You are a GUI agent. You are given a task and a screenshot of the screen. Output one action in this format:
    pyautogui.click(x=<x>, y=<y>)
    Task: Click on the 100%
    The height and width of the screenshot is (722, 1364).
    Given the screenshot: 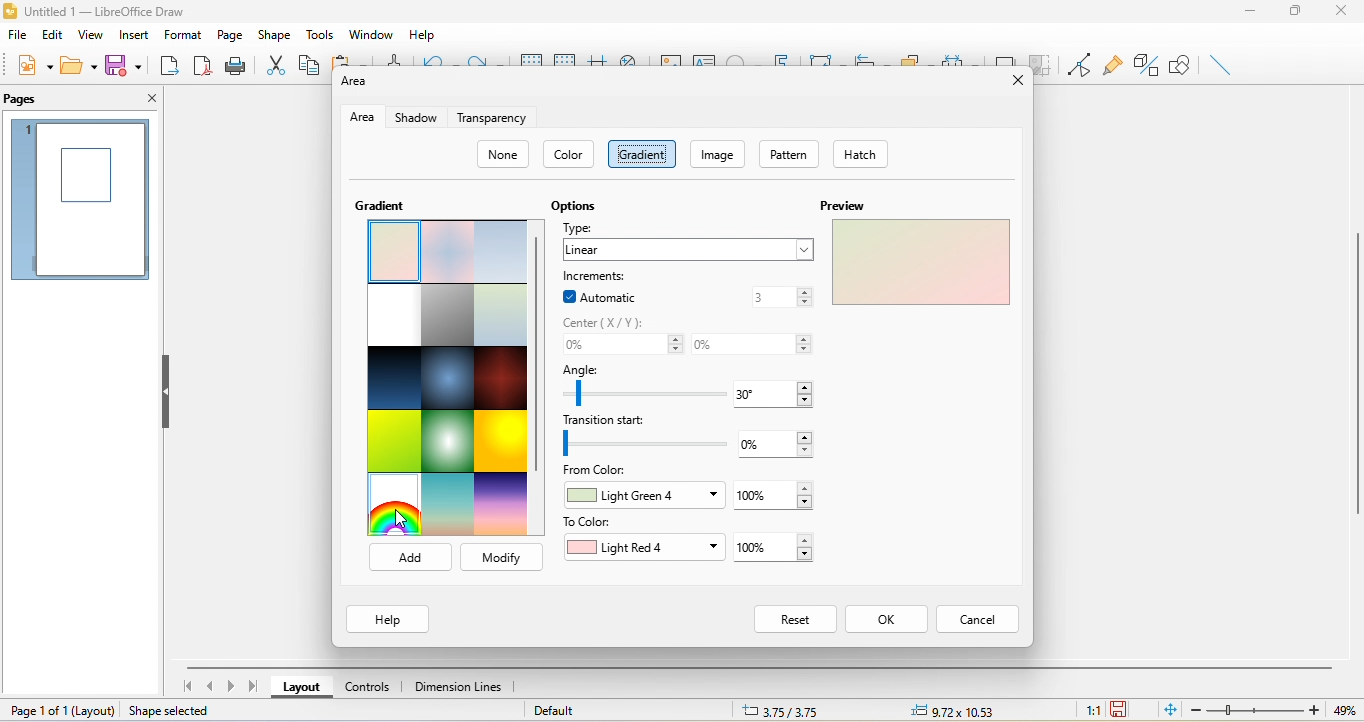 What is the action you would take?
    pyautogui.click(x=780, y=547)
    